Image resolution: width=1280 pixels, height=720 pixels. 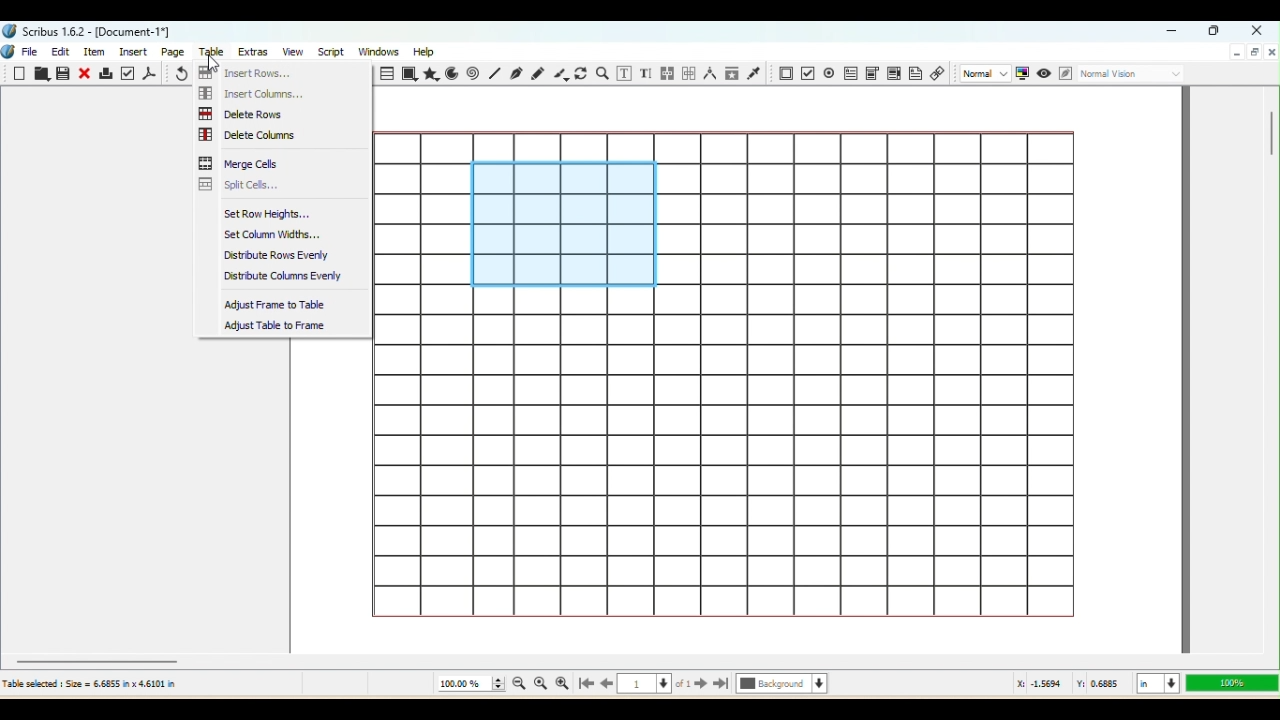 I want to click on Scribus 1.6.2- [Document-1"], so click(x=90, y=31).